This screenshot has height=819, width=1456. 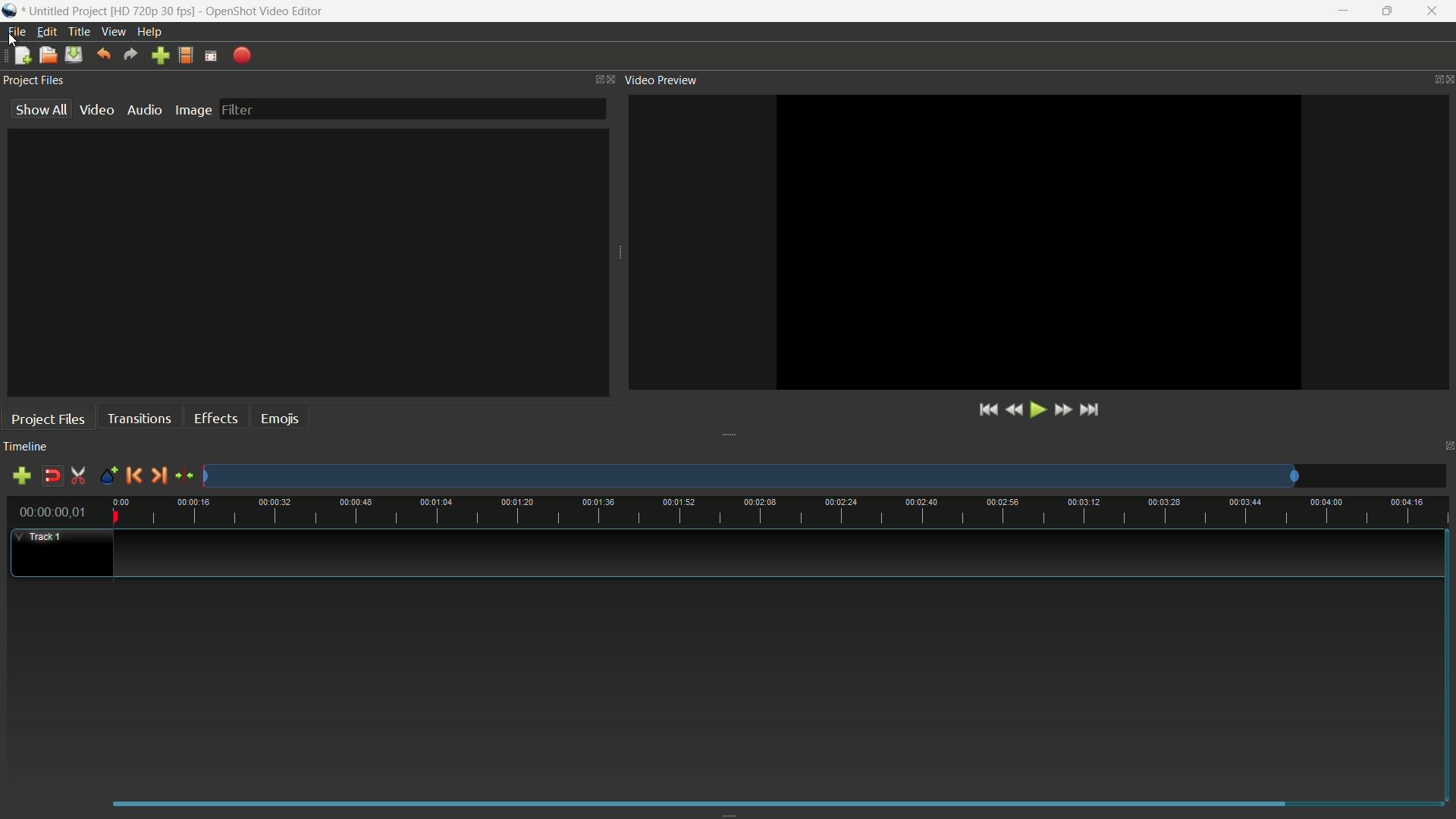 What do you see at coordinates (1062, 410) in the screenshot?
I see `fast forward` at bounding box center [1062, 410].